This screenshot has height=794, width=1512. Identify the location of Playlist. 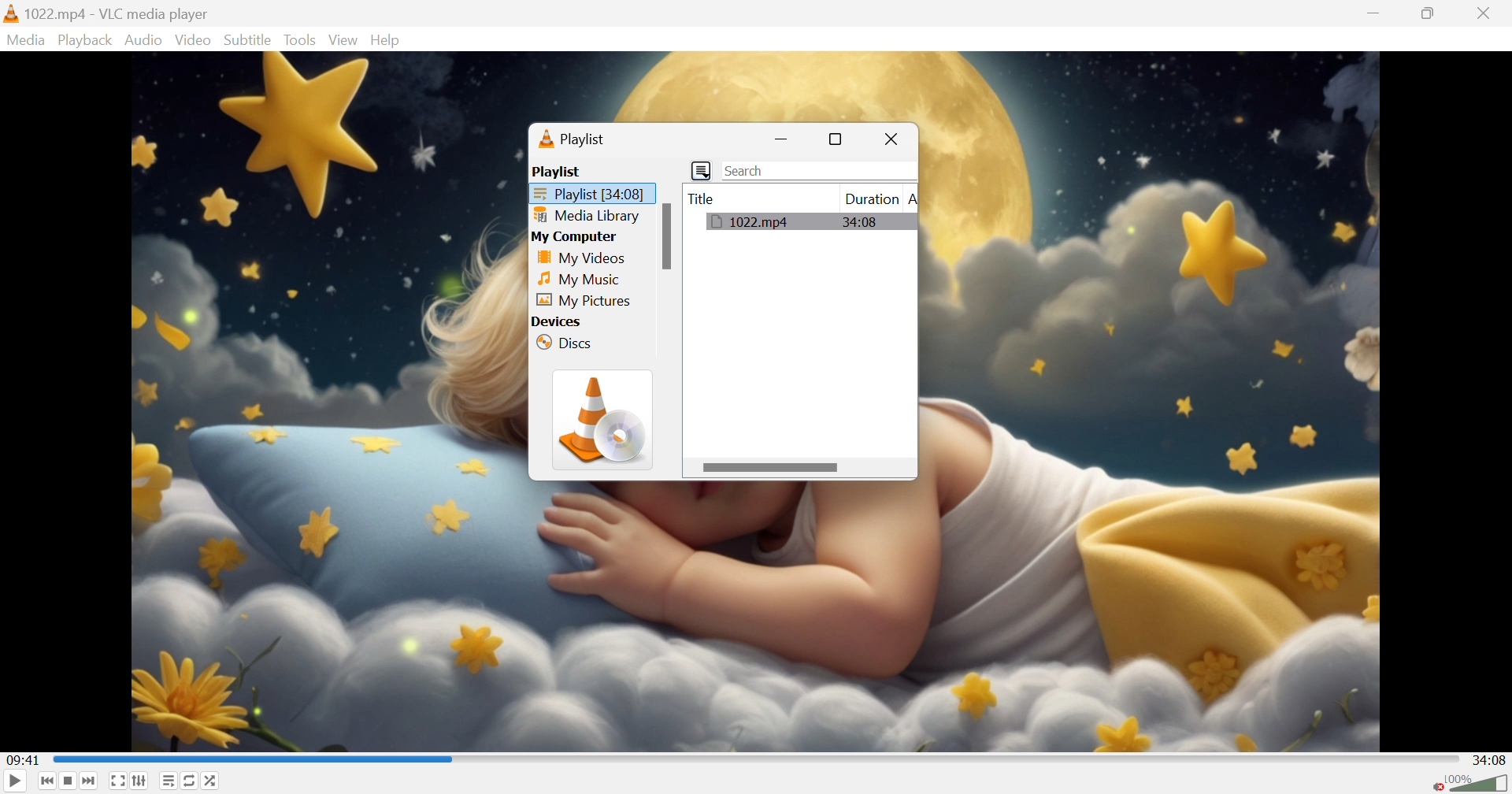
(557, 171).